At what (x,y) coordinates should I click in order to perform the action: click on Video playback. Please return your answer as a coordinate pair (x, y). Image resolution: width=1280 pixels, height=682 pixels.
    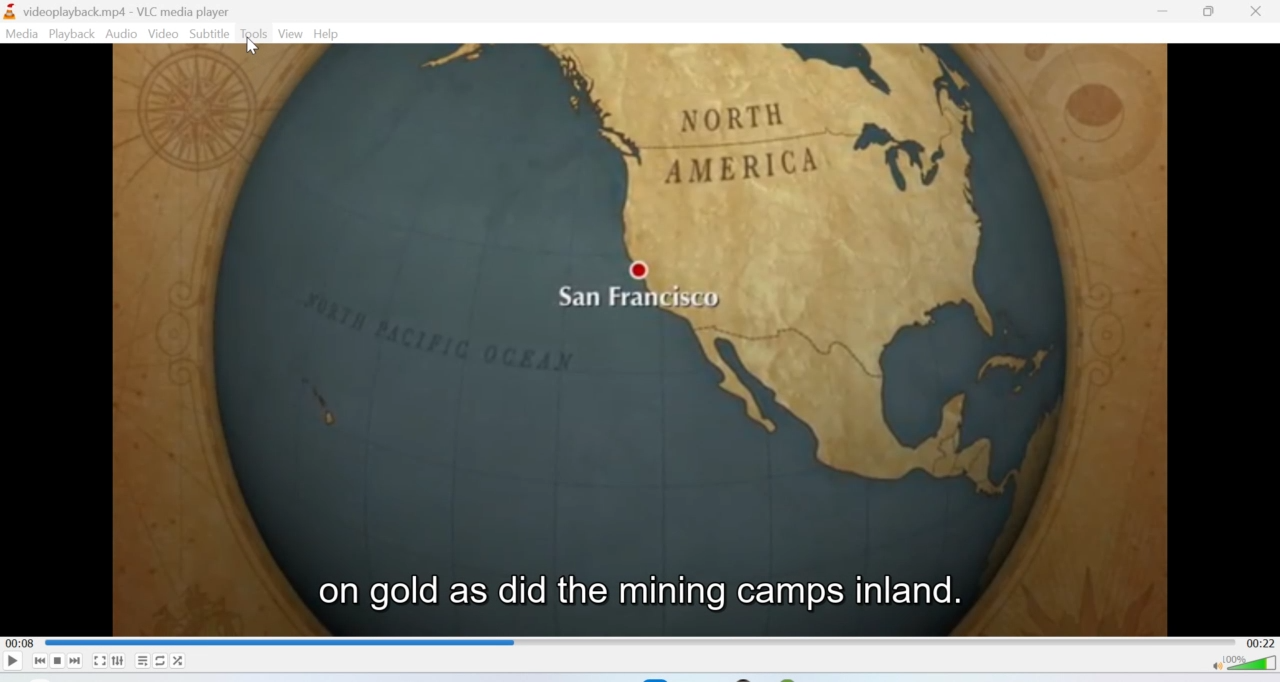
    Looking at the image, I should click on (636, 341).